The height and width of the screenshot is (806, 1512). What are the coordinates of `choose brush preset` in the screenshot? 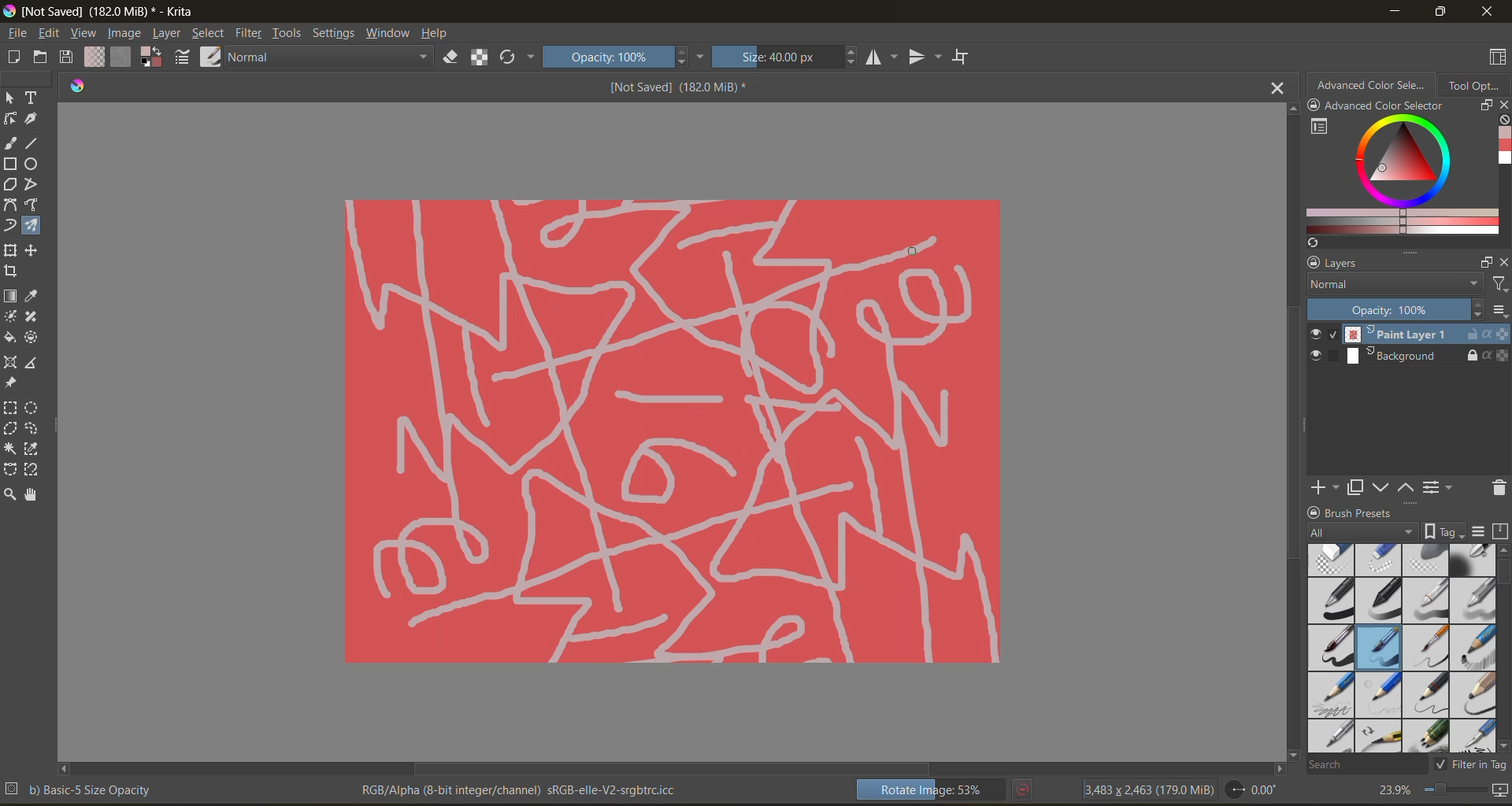 It's located at (210, 59).